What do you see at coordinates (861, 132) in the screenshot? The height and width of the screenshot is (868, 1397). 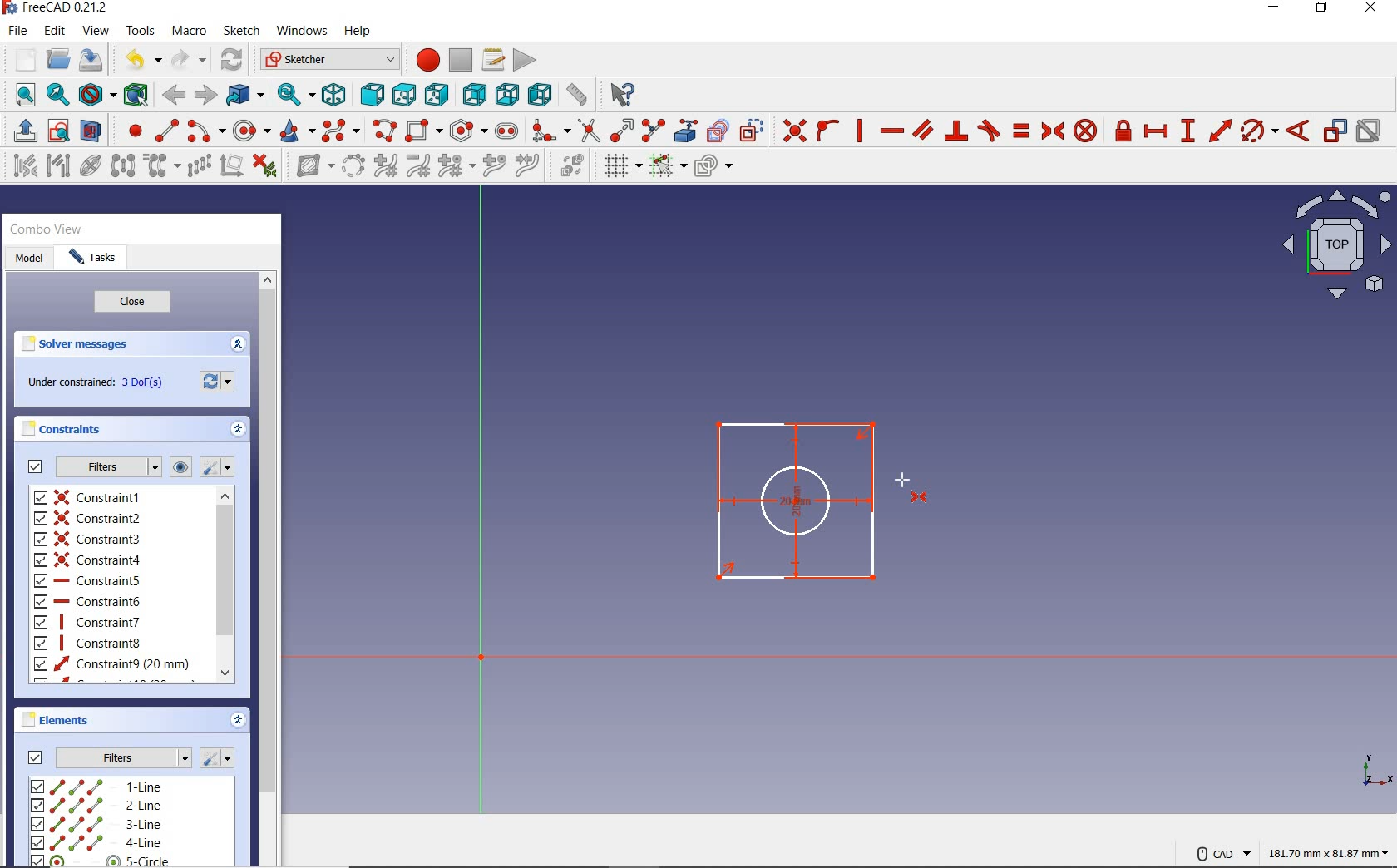 I see `constrain vertically` at bounding box center [861, 132].